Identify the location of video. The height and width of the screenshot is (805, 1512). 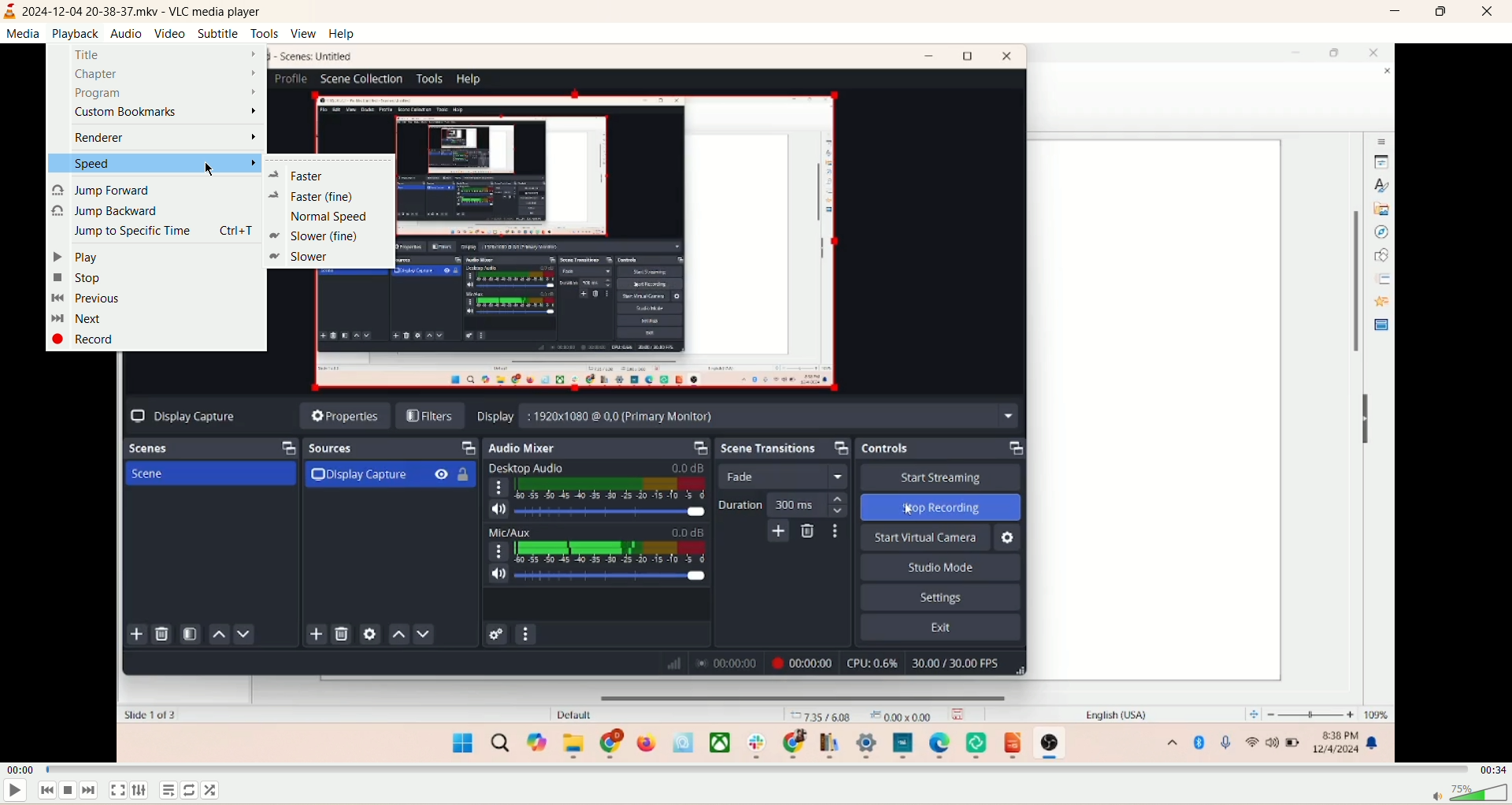
(170, 34).